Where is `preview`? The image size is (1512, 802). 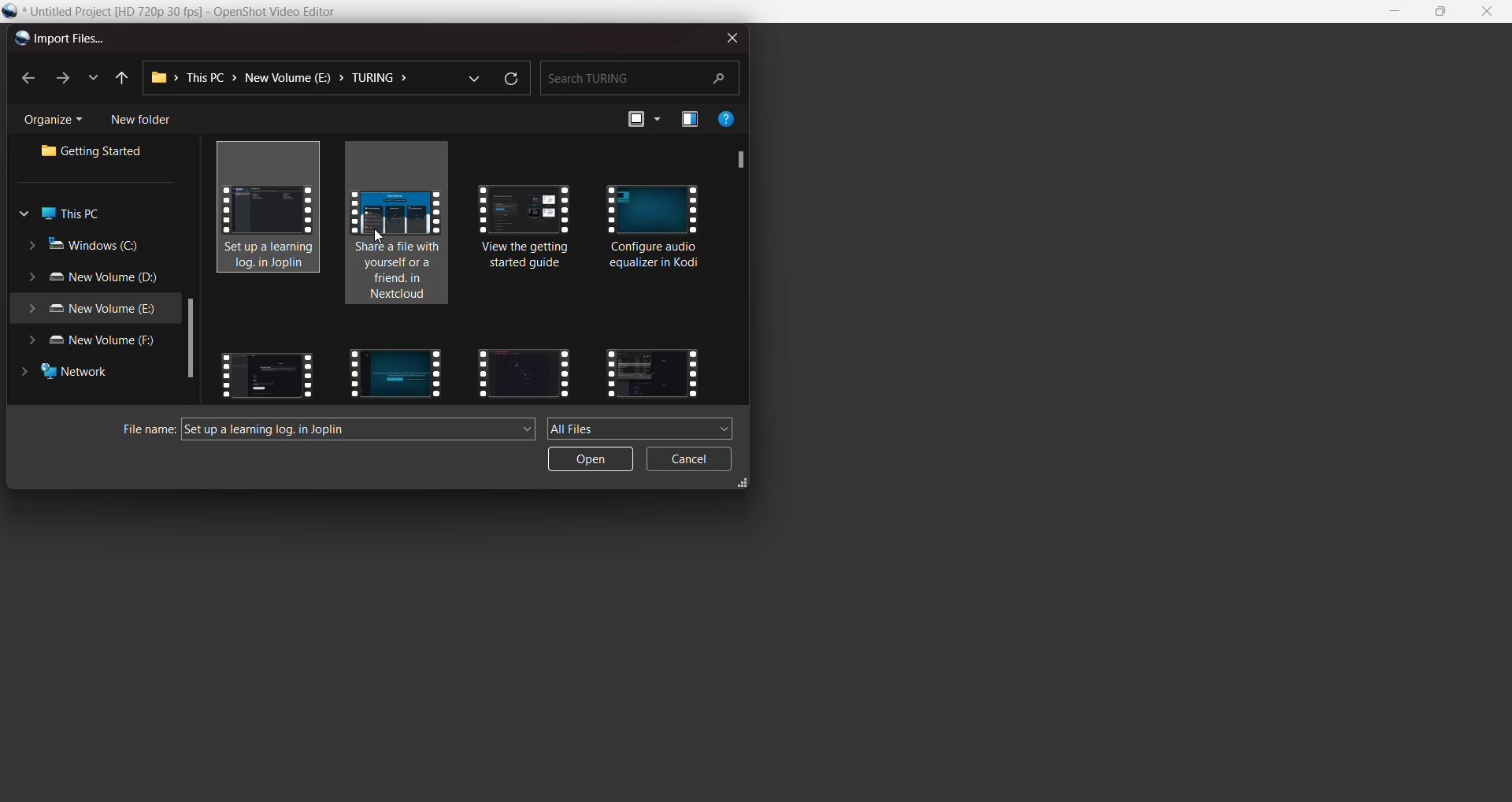 preview is located at coordinates (690, 121).